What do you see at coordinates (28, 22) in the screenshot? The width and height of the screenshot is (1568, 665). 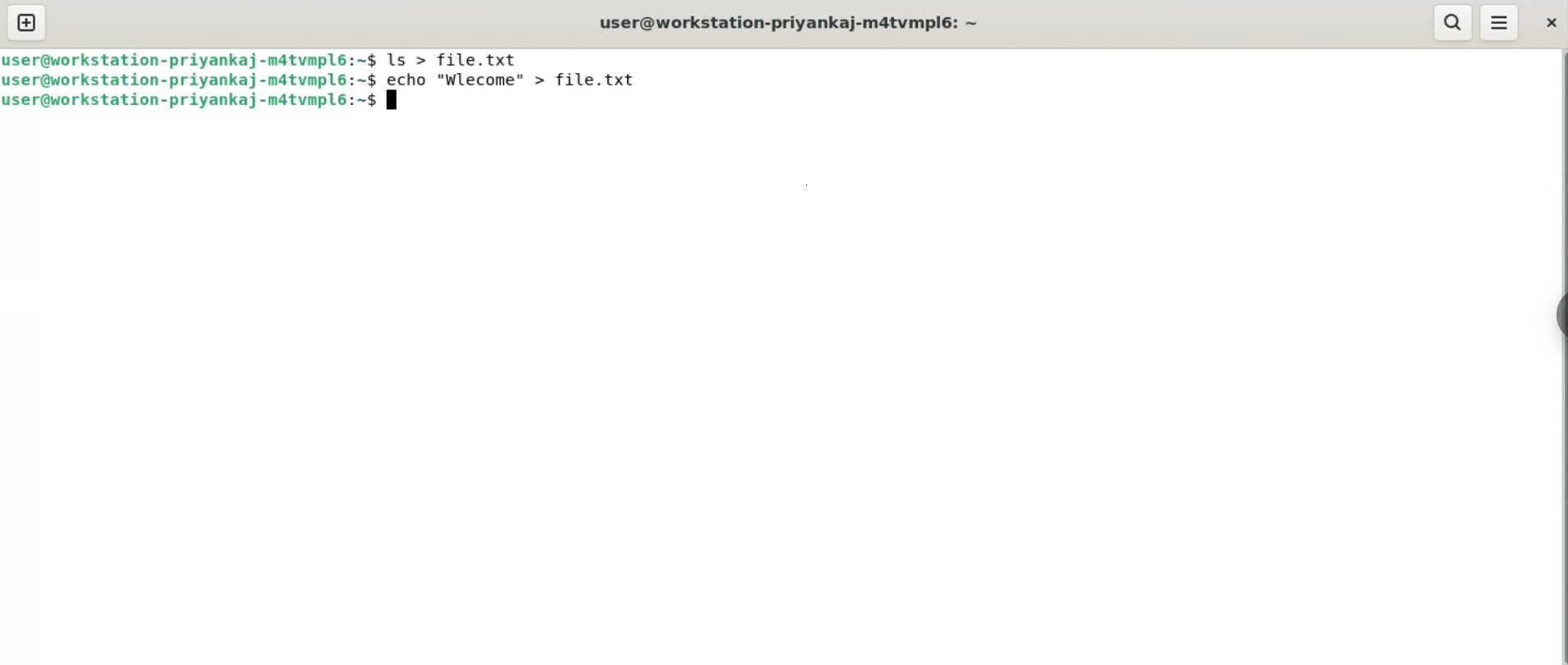 I see `new tab` at bounding box center [28, 22].